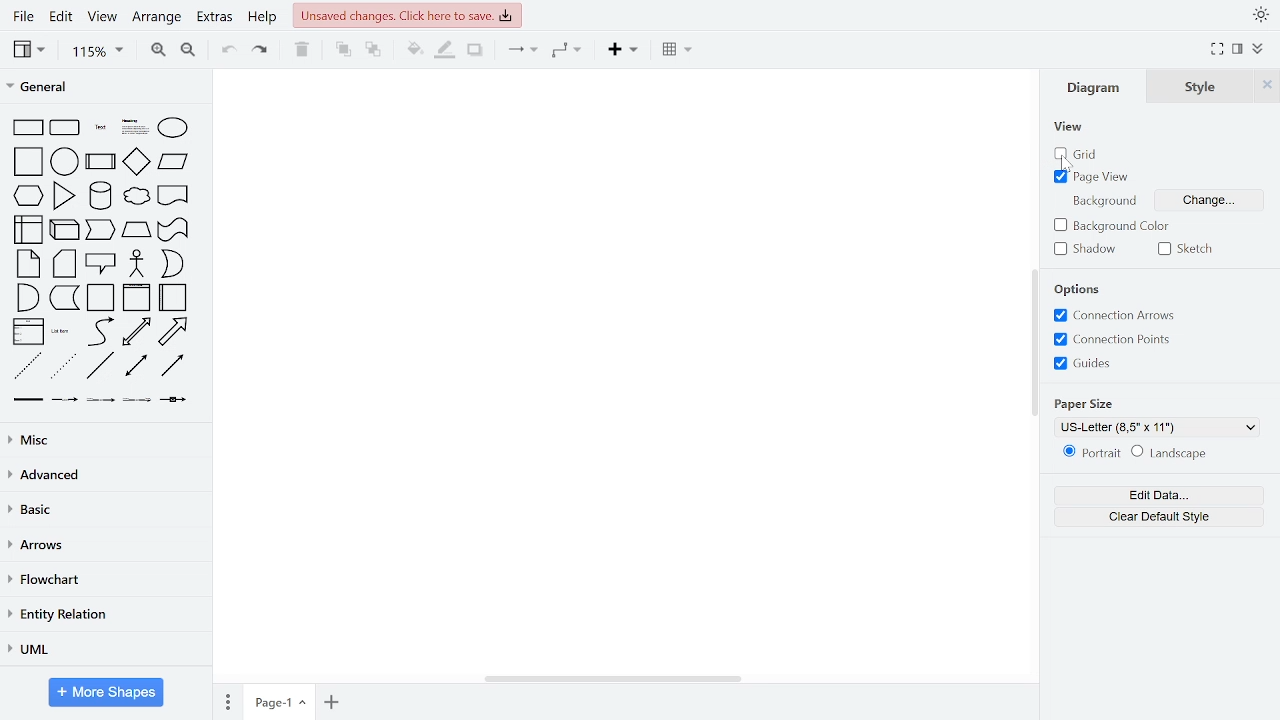  Describe the element at coordinates (101, 474) in the screenshot. I see `advanced` at that location.